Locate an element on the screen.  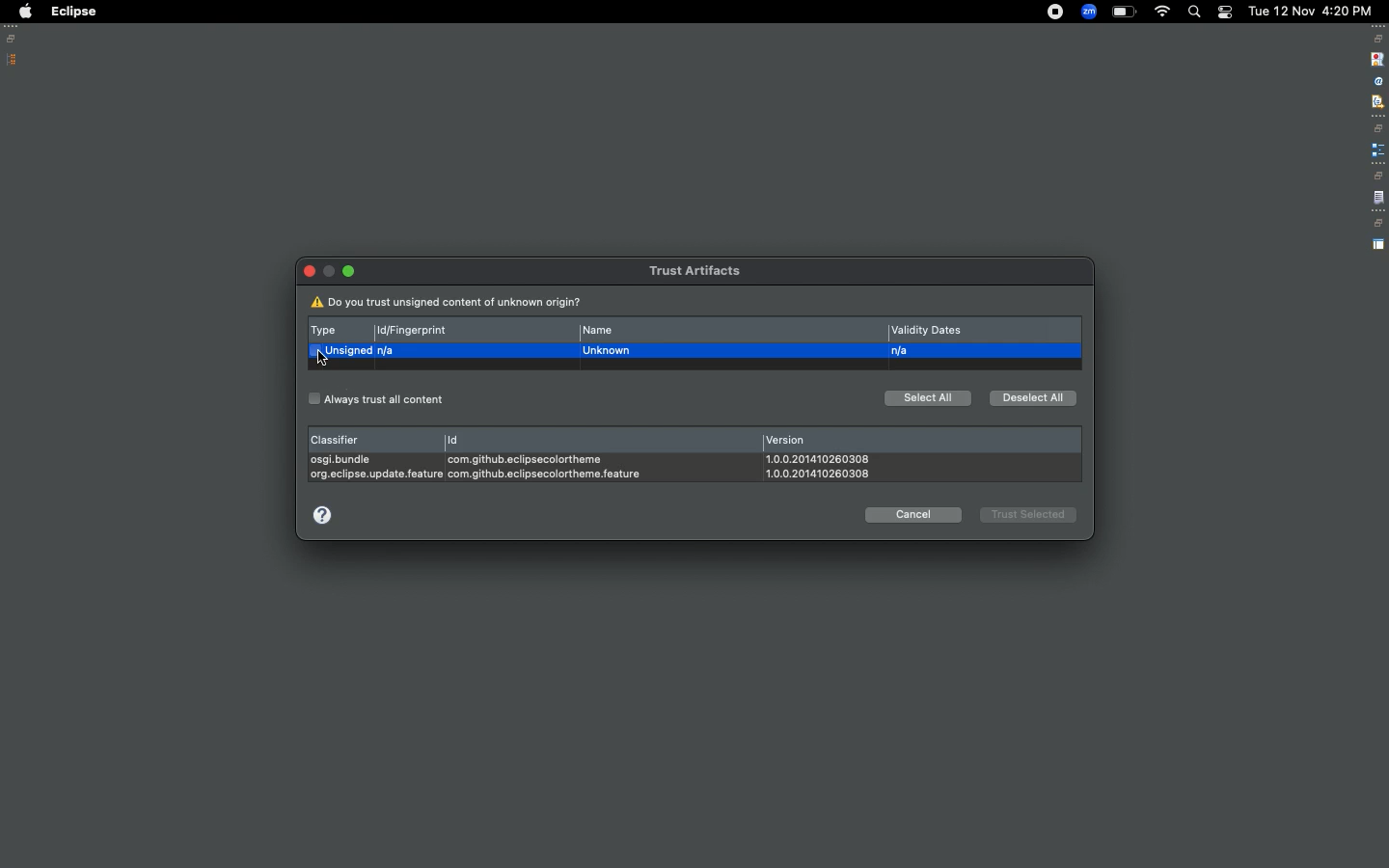
Id is located at coordinates (554, 455).